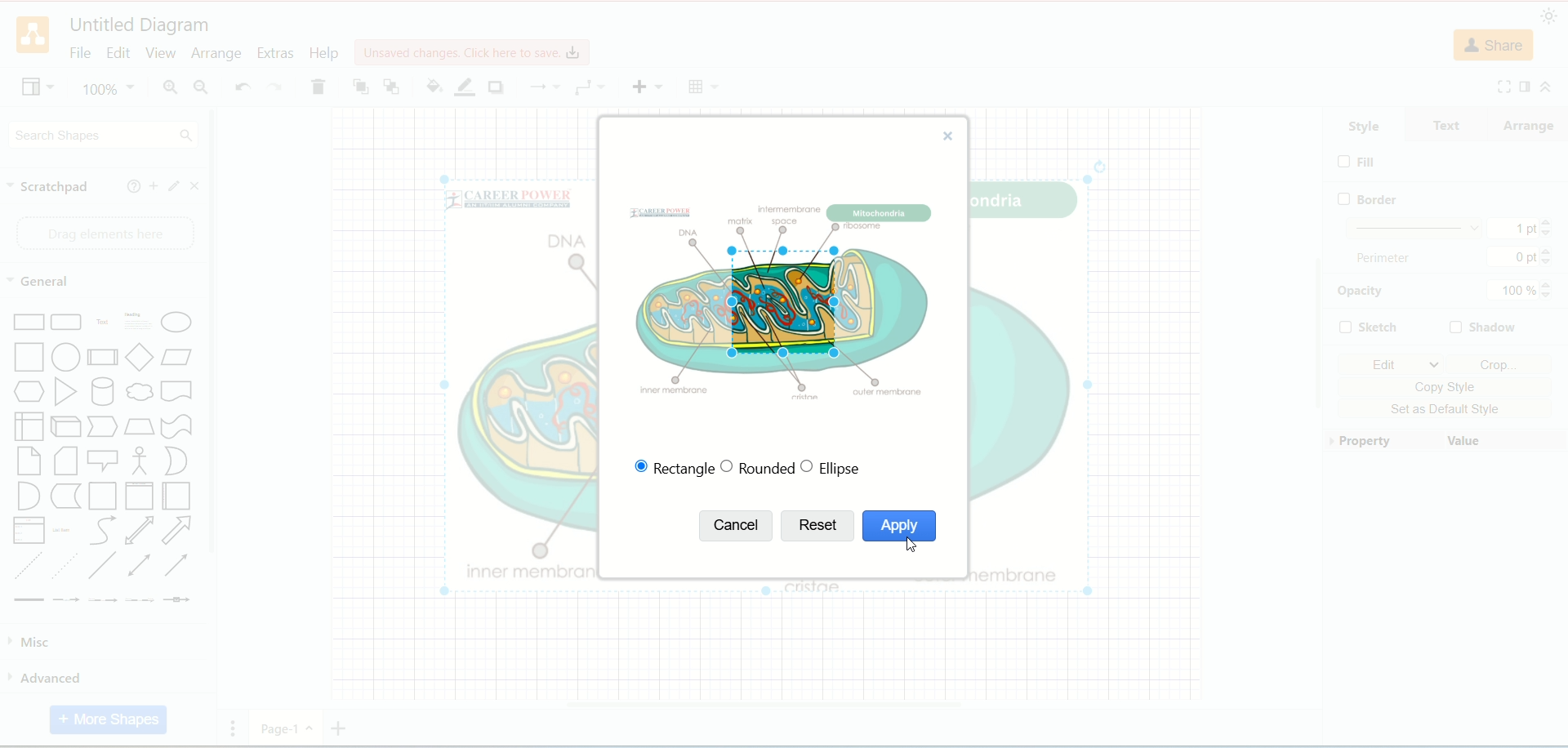 This screenshot has height=748, width=1568. I want to click on Table, so click(700, 87).